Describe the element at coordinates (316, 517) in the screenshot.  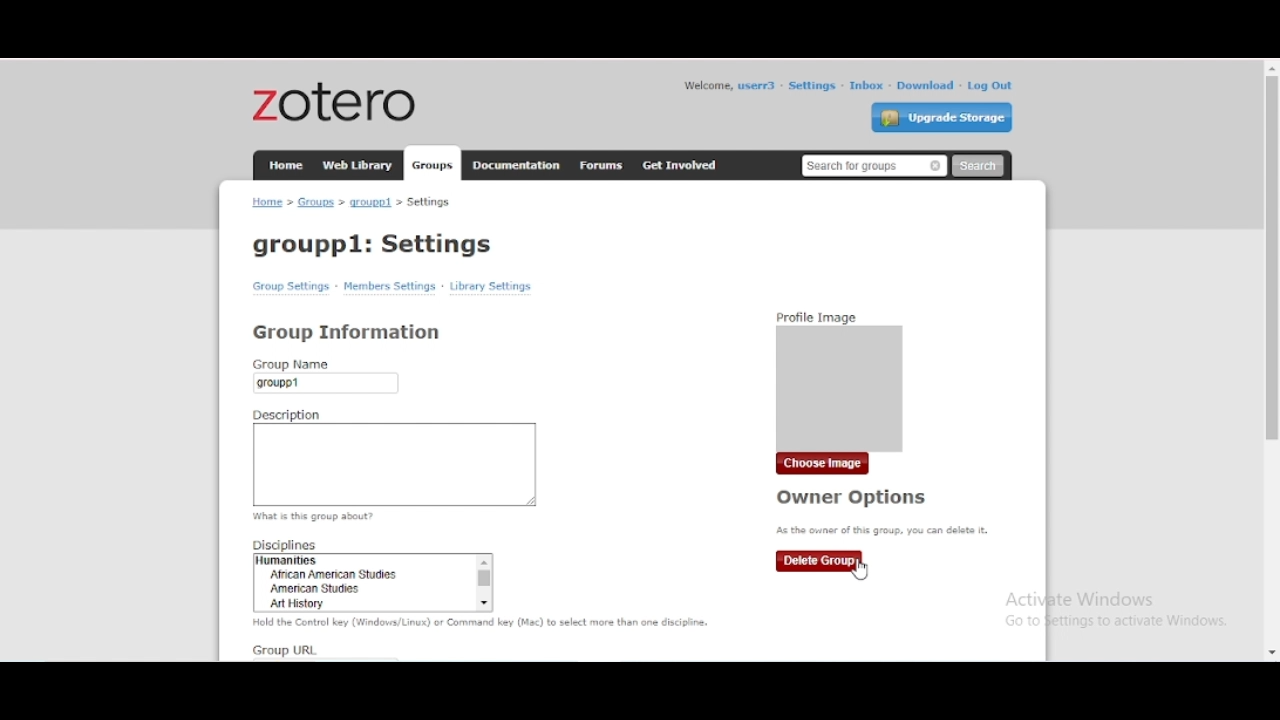
I see `what is this group about` at that location.